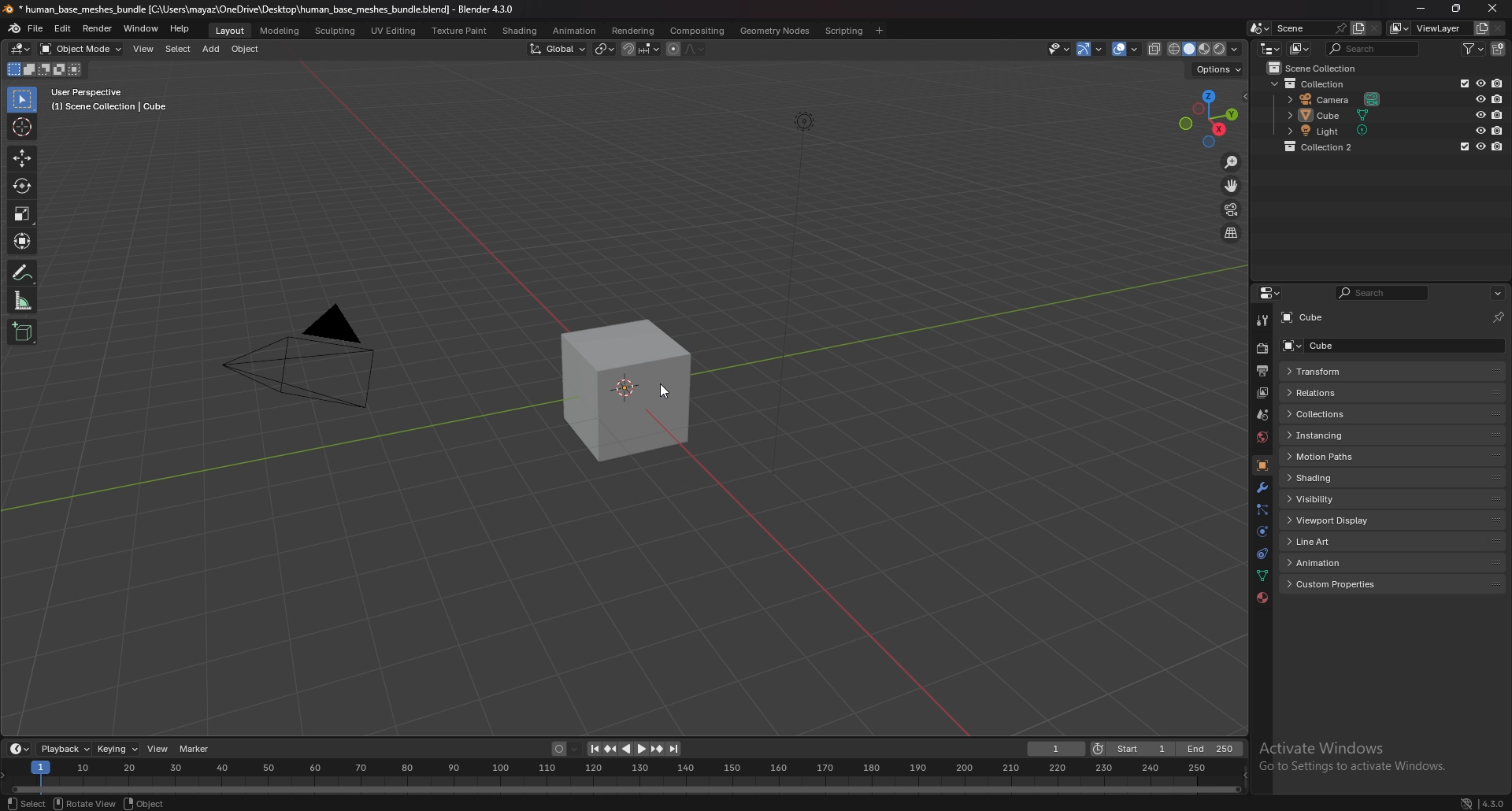  Describe the element at coordinates (1339, 543) in the screenshot. I see `line art` at that location.